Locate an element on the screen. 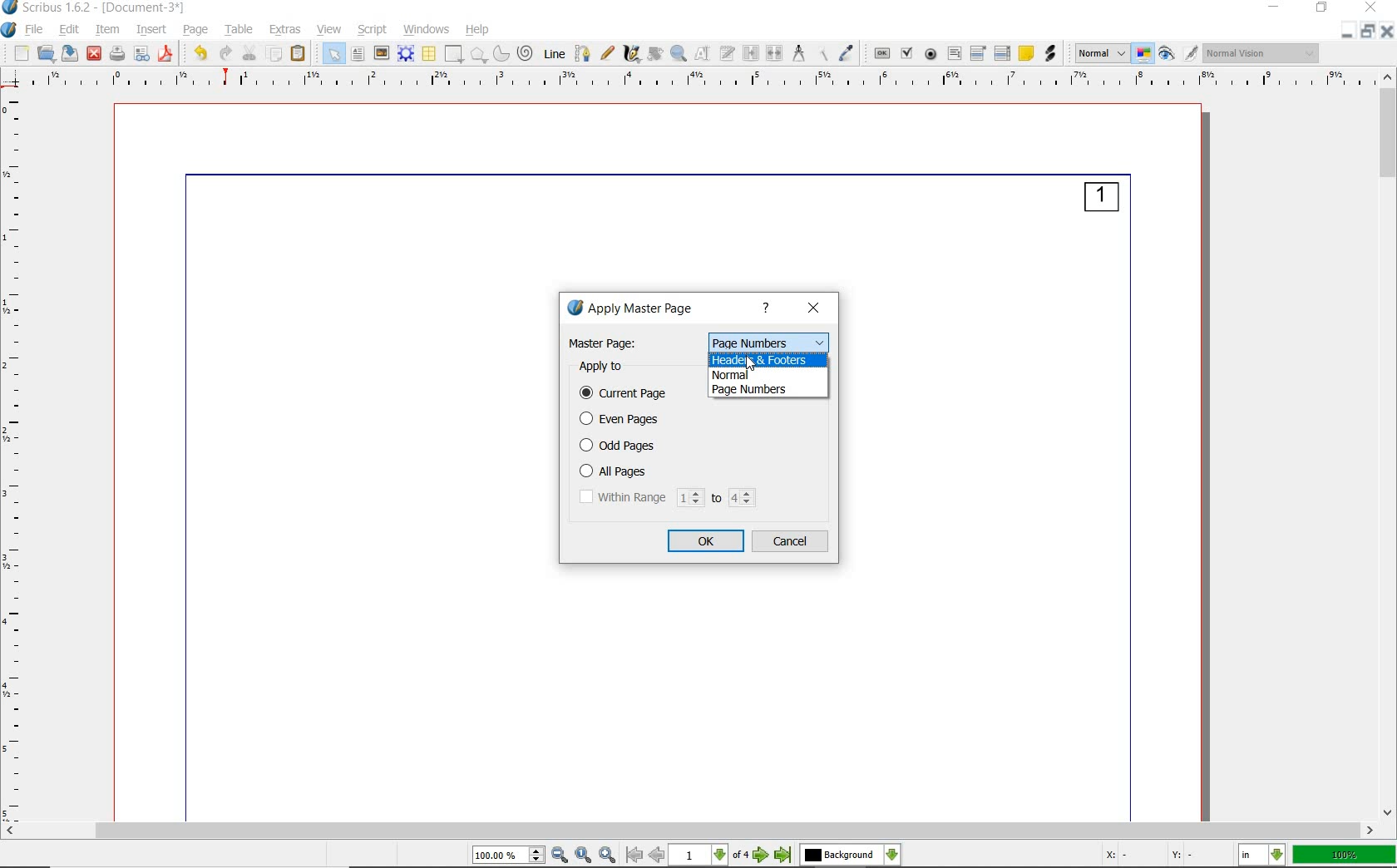  odd pages is located at coordinates (624, 446).